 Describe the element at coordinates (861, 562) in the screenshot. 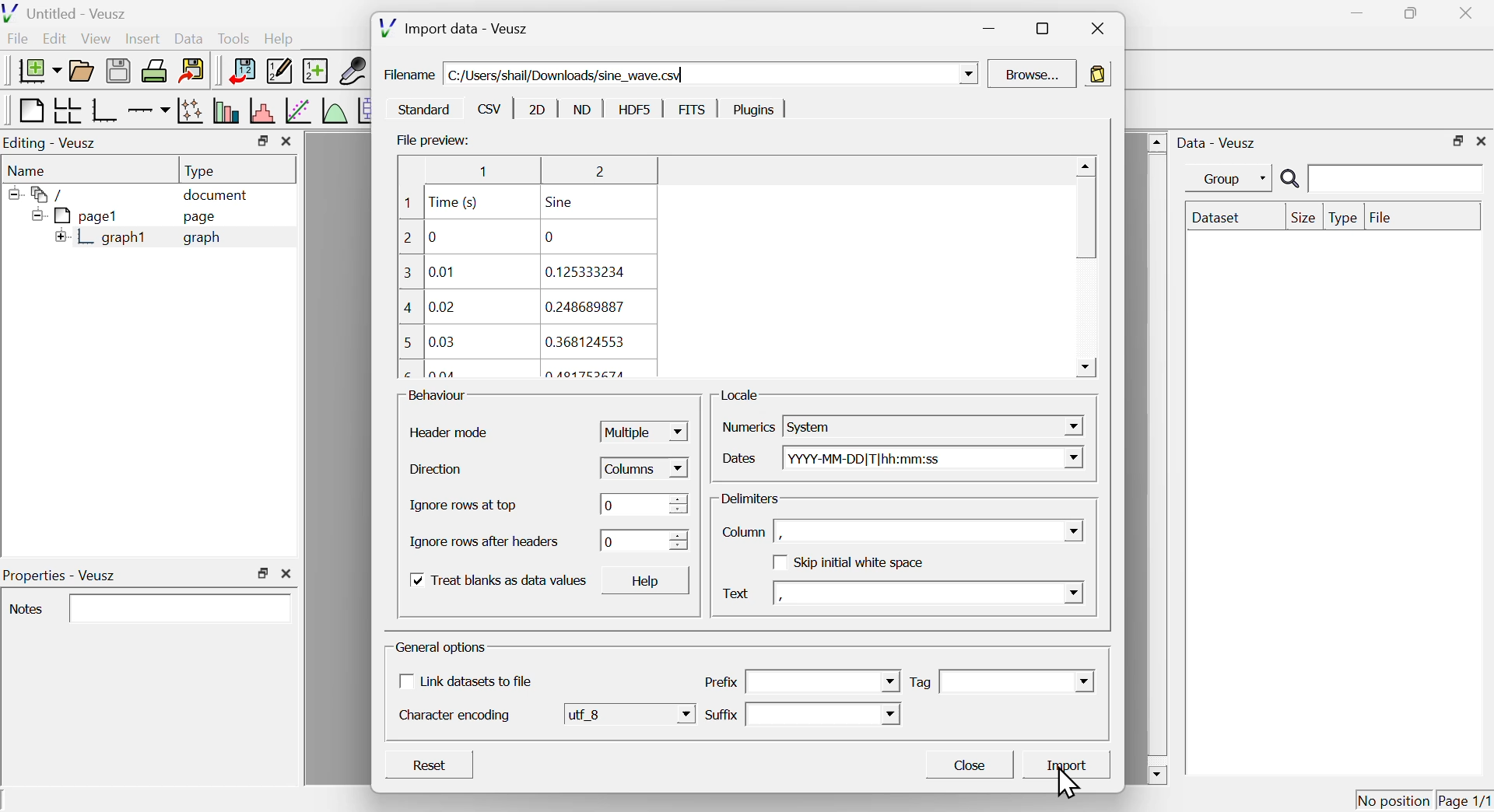

I see `Skip initial white space` at that location.